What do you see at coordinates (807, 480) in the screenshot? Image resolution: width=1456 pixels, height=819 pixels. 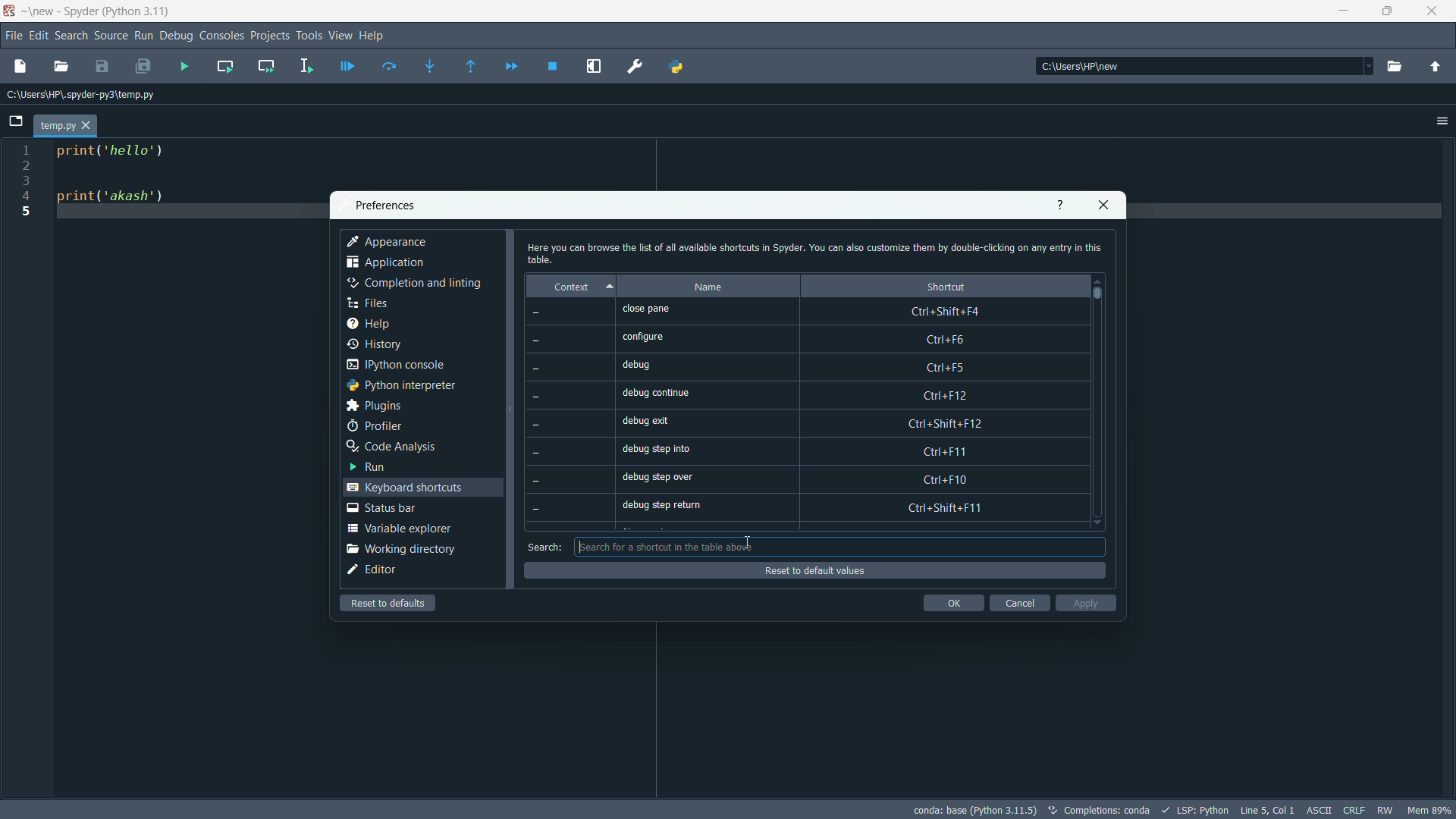 I see `-, debug step over, ctrl+f10` at bounding box center [807, 480].